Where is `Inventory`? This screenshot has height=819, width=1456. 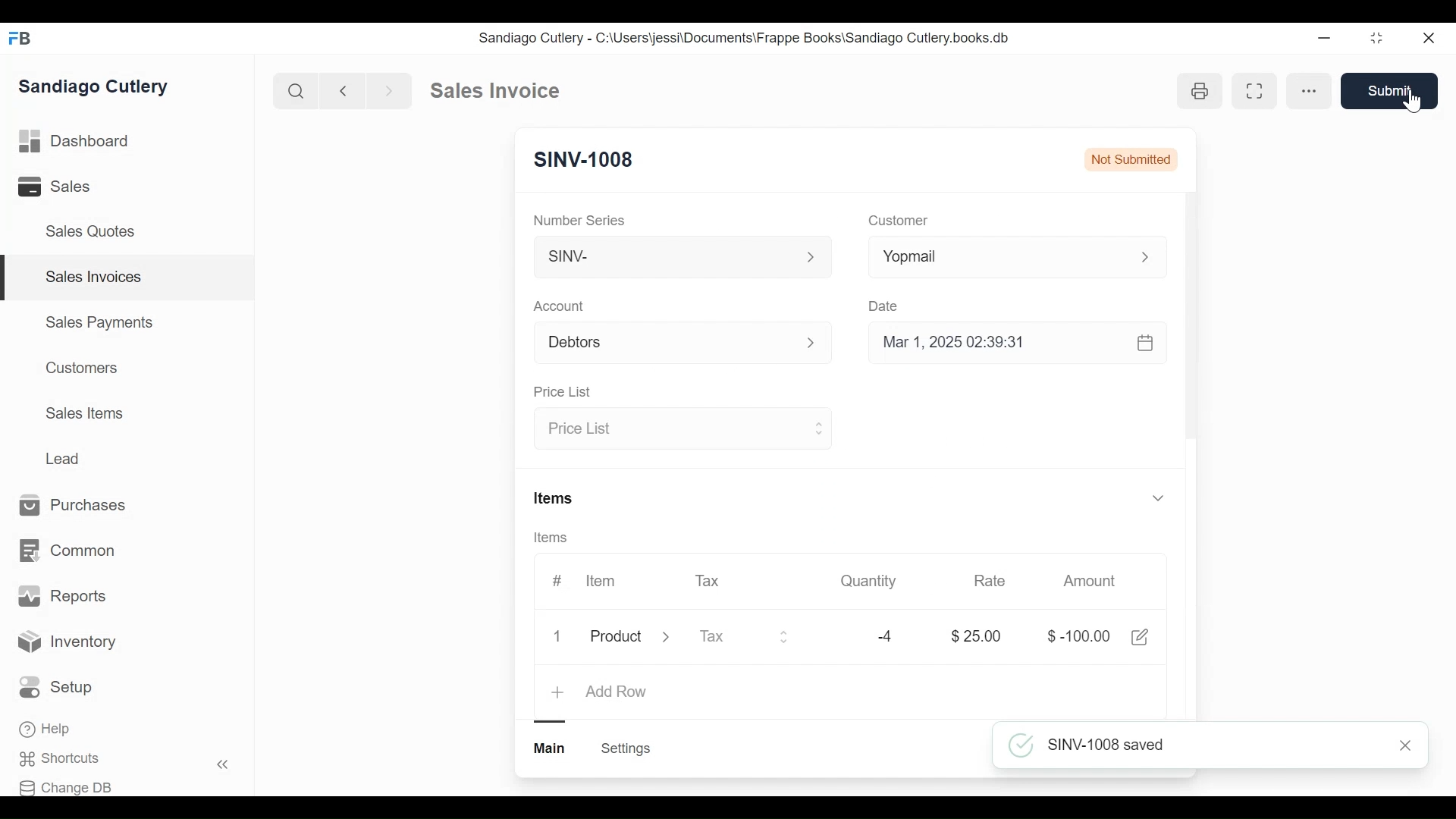 Inventory is located at coordinates (65, 639).